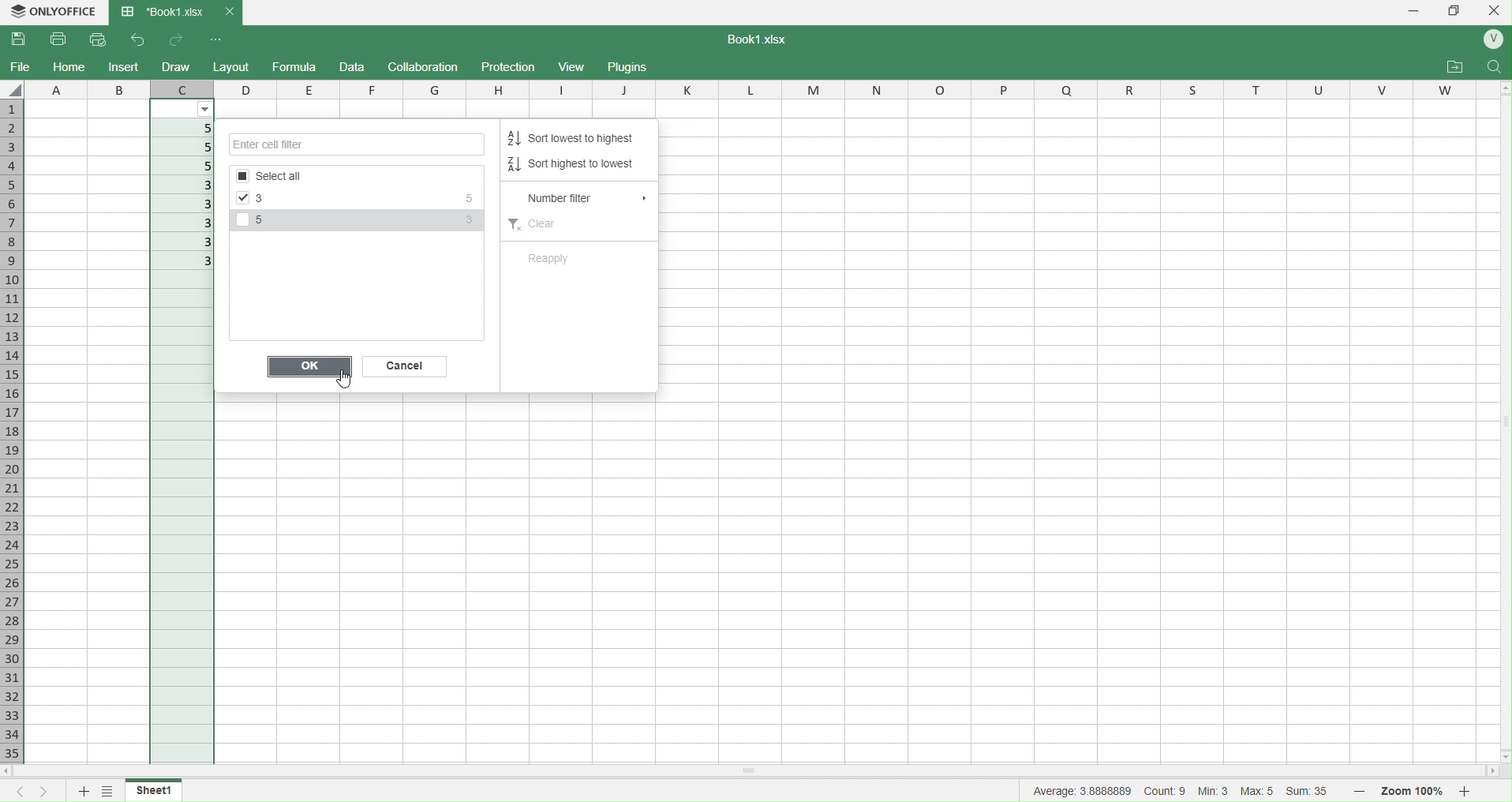 This screenshot has width=1512, height=802. What do you see at coordinates (15, 89) in the screenshot?
I see `select all` at bounding box center [15, 89].